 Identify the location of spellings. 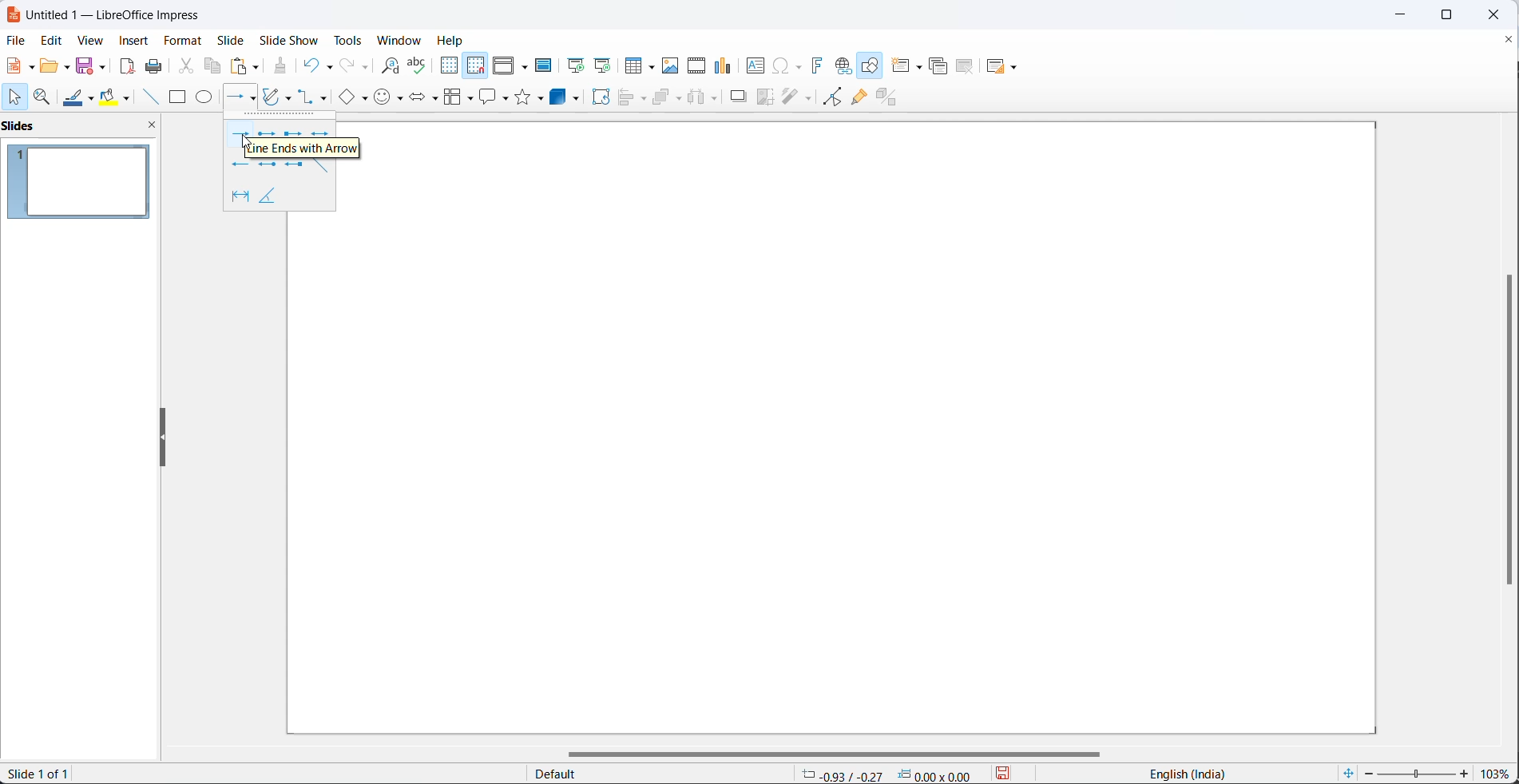
(418, 65).